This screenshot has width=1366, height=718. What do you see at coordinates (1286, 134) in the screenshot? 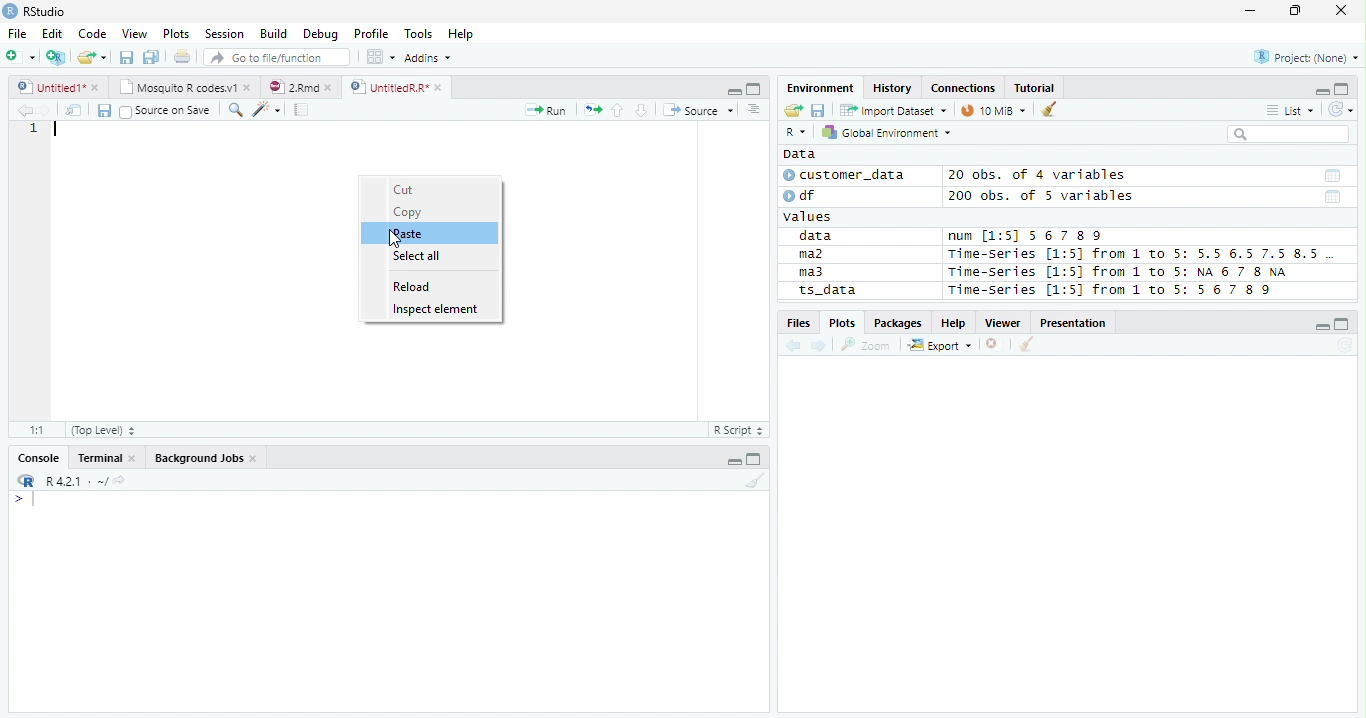
I see `Search` at bounding box center [1286, 134].